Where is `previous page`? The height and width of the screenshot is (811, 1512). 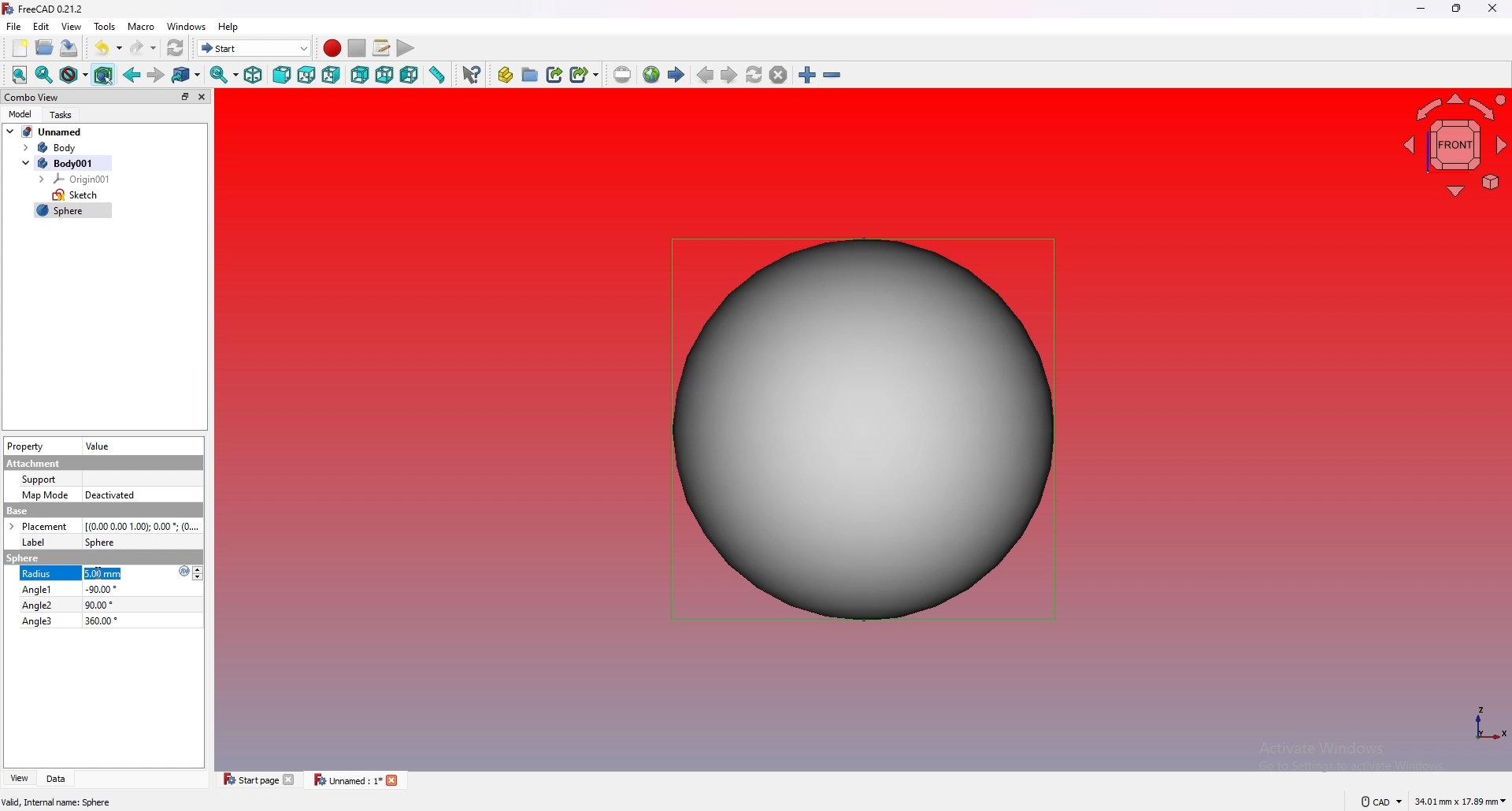
previous page is located at coordinates (706, 76).